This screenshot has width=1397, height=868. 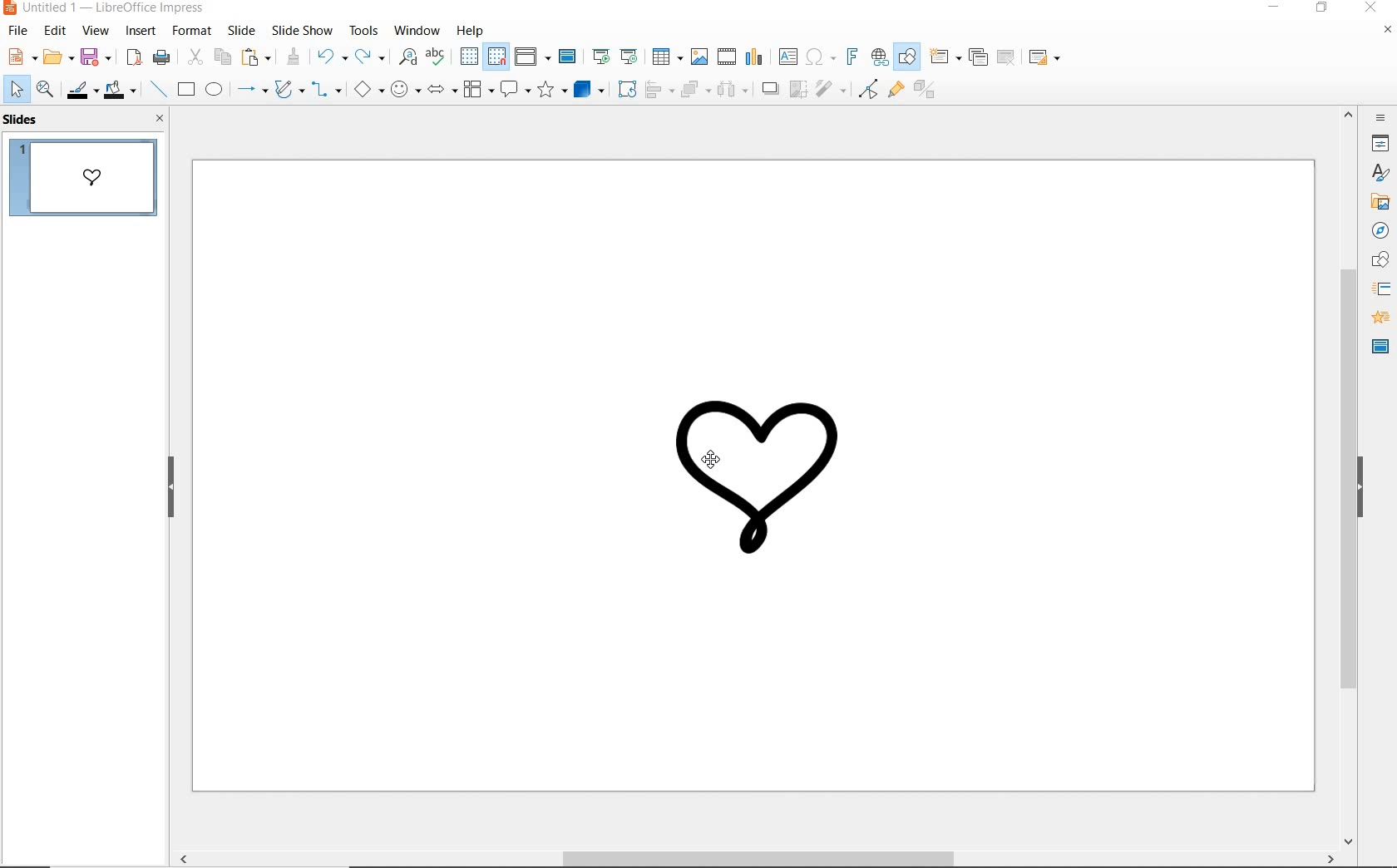 What do you see at coordinates (106, 9) in the screenshot?
I see `Untitled 1 - LibreOffice Impress` at bounding box center [106, 9].